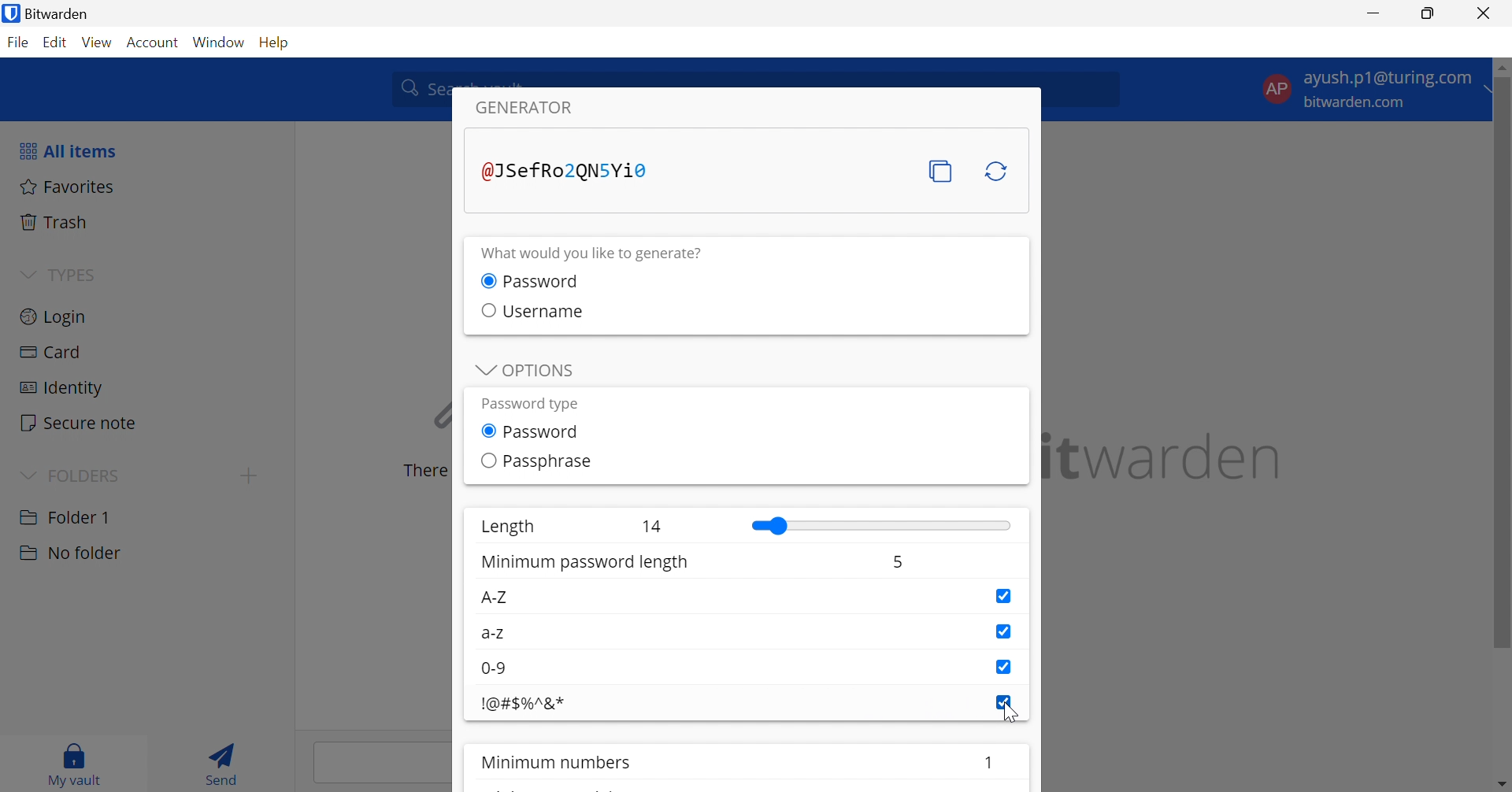 This screenshot has width=1512, height=792. I want to click on Checkbox, so click(1003, 666).